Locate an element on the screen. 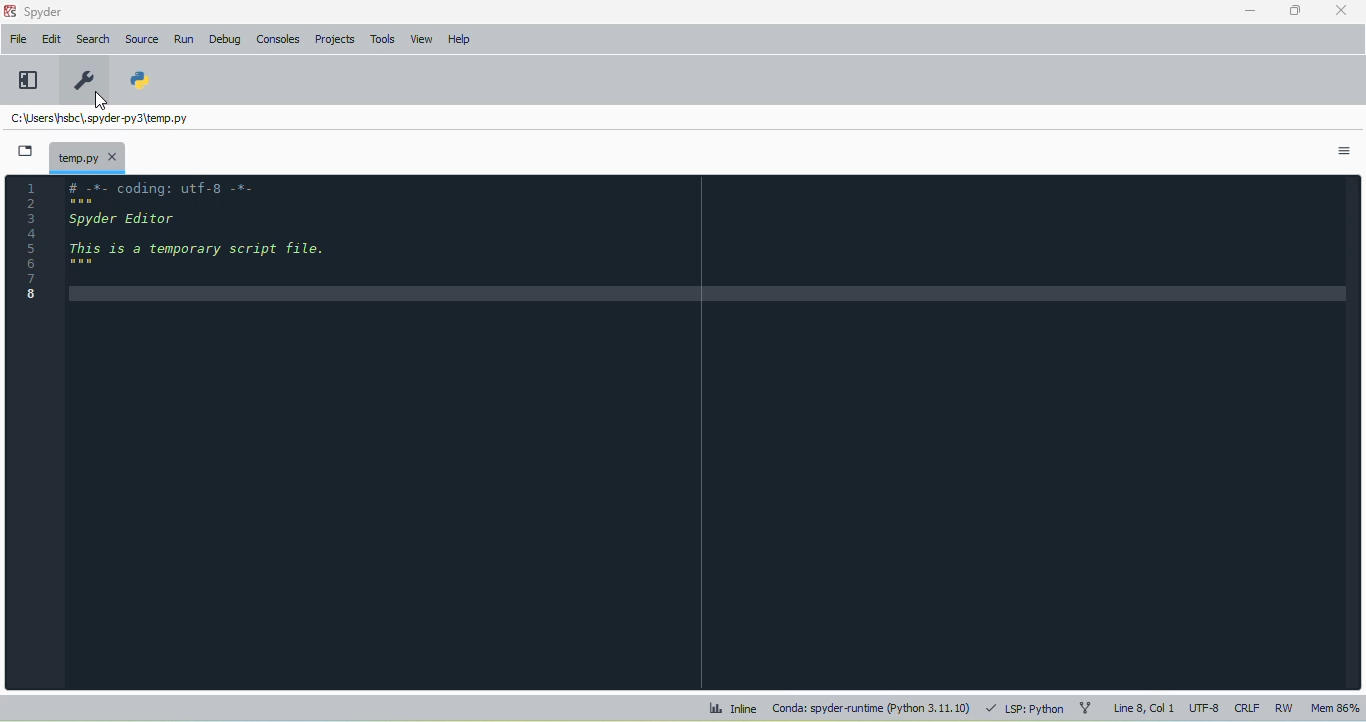  view is located at coordinates (422, 39).